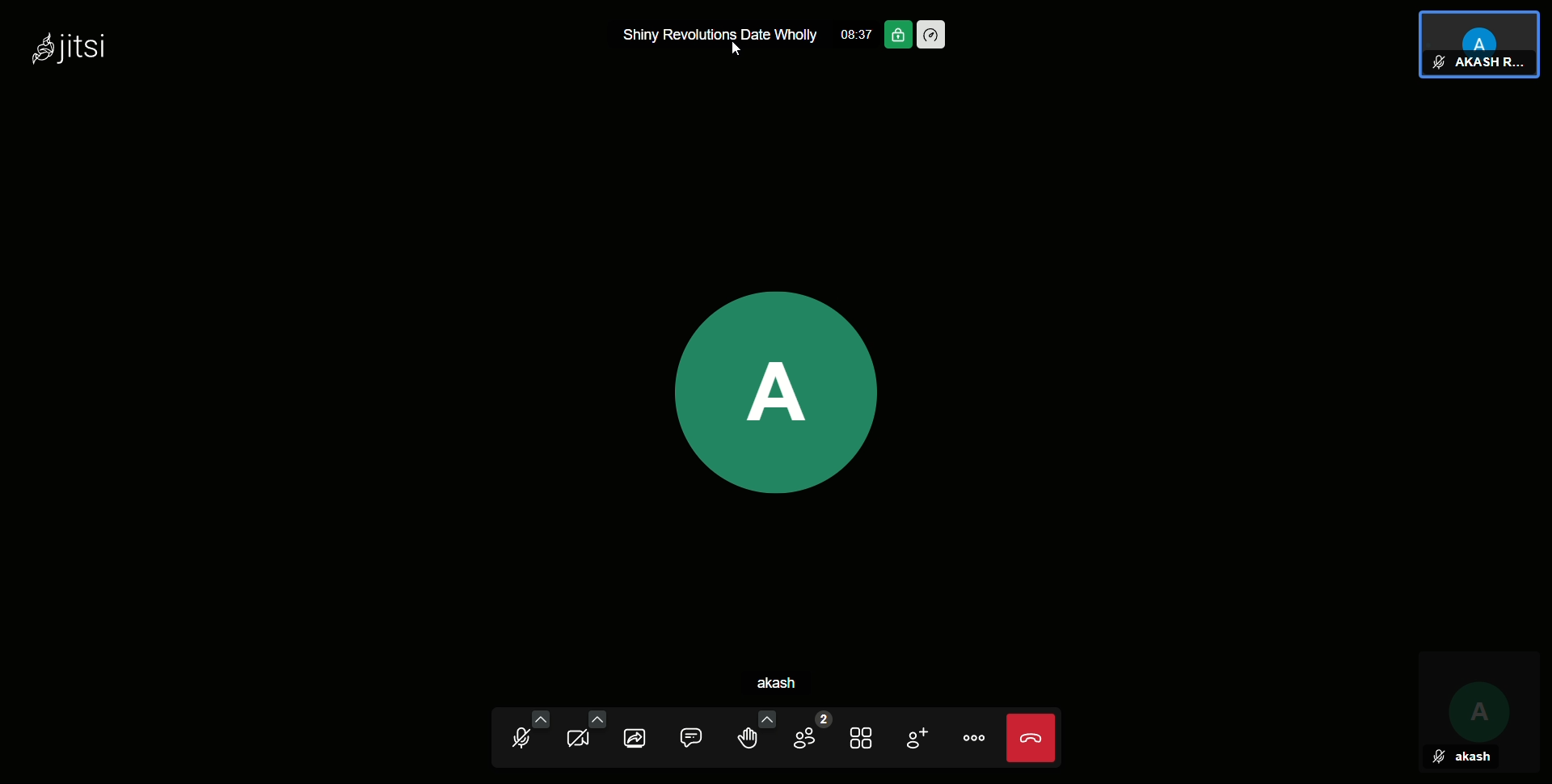 The width and height of the screenshot is (1552, 784). I want to click on participant, so click(1481, 30).